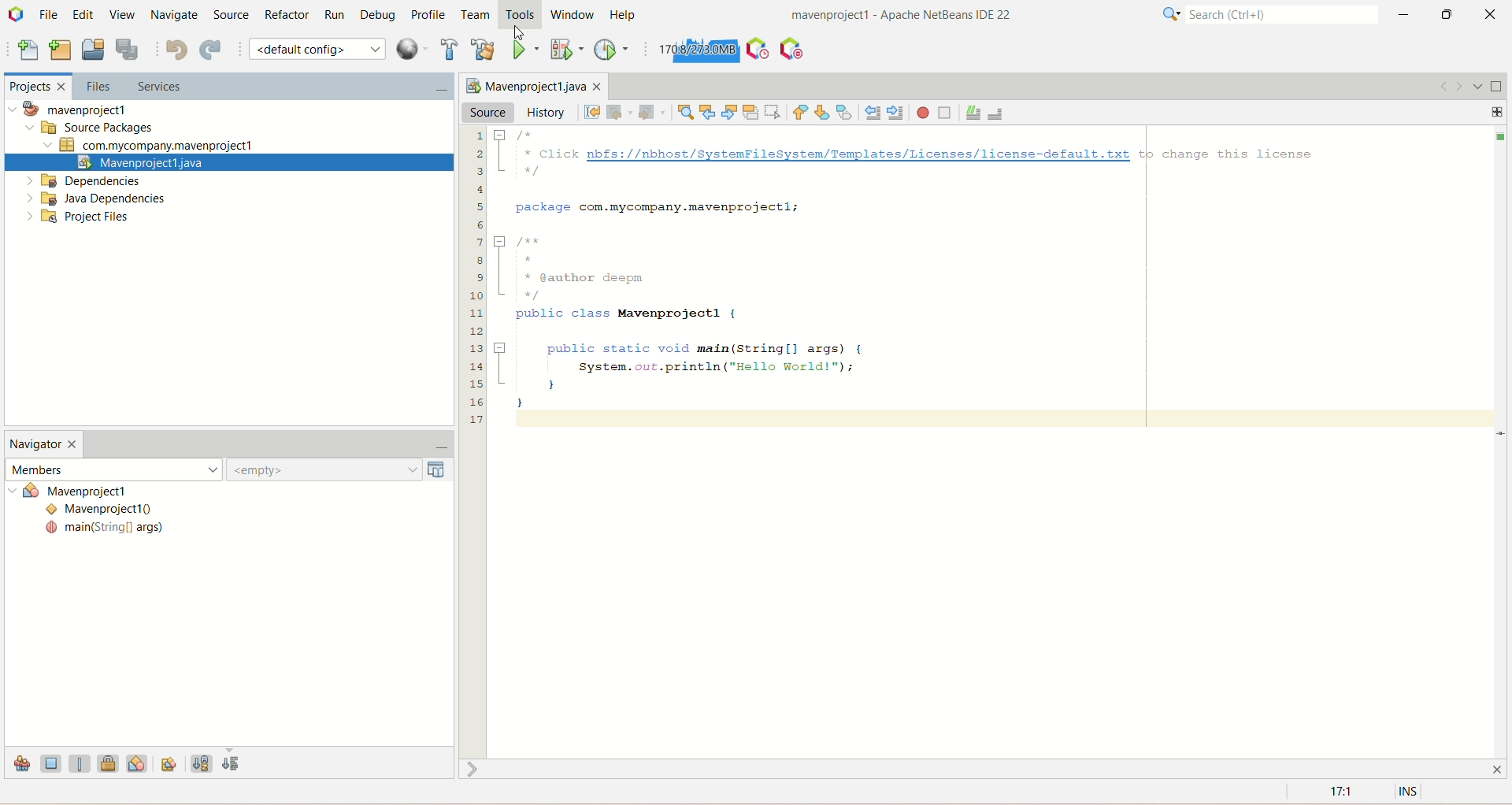  What do you see at coordinates (127, 50) in the screenshot?
I see `save all` at bounding box center [127, 50].